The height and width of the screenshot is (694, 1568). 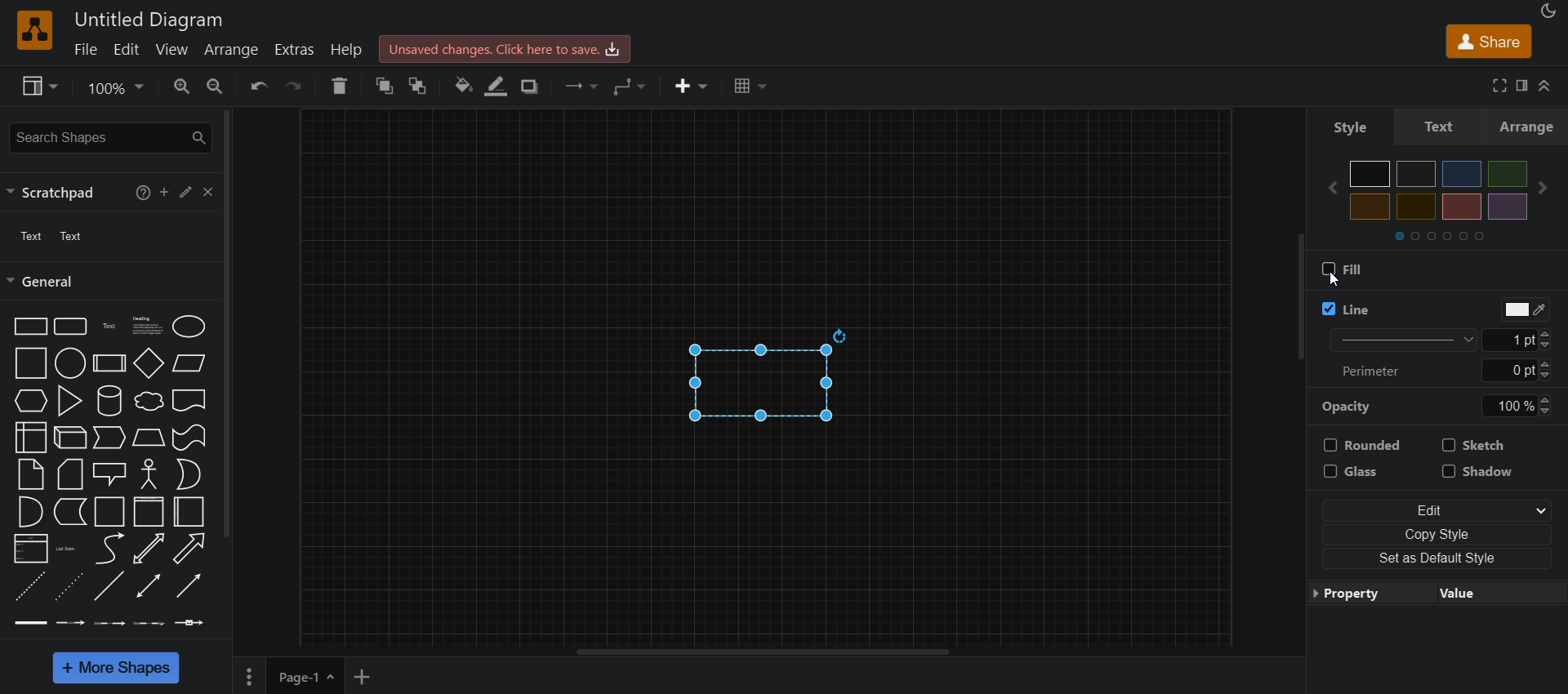 What do you see at coordinates (349, 52) in the screenshot?
I see `help` at bounding box center [349, 52].